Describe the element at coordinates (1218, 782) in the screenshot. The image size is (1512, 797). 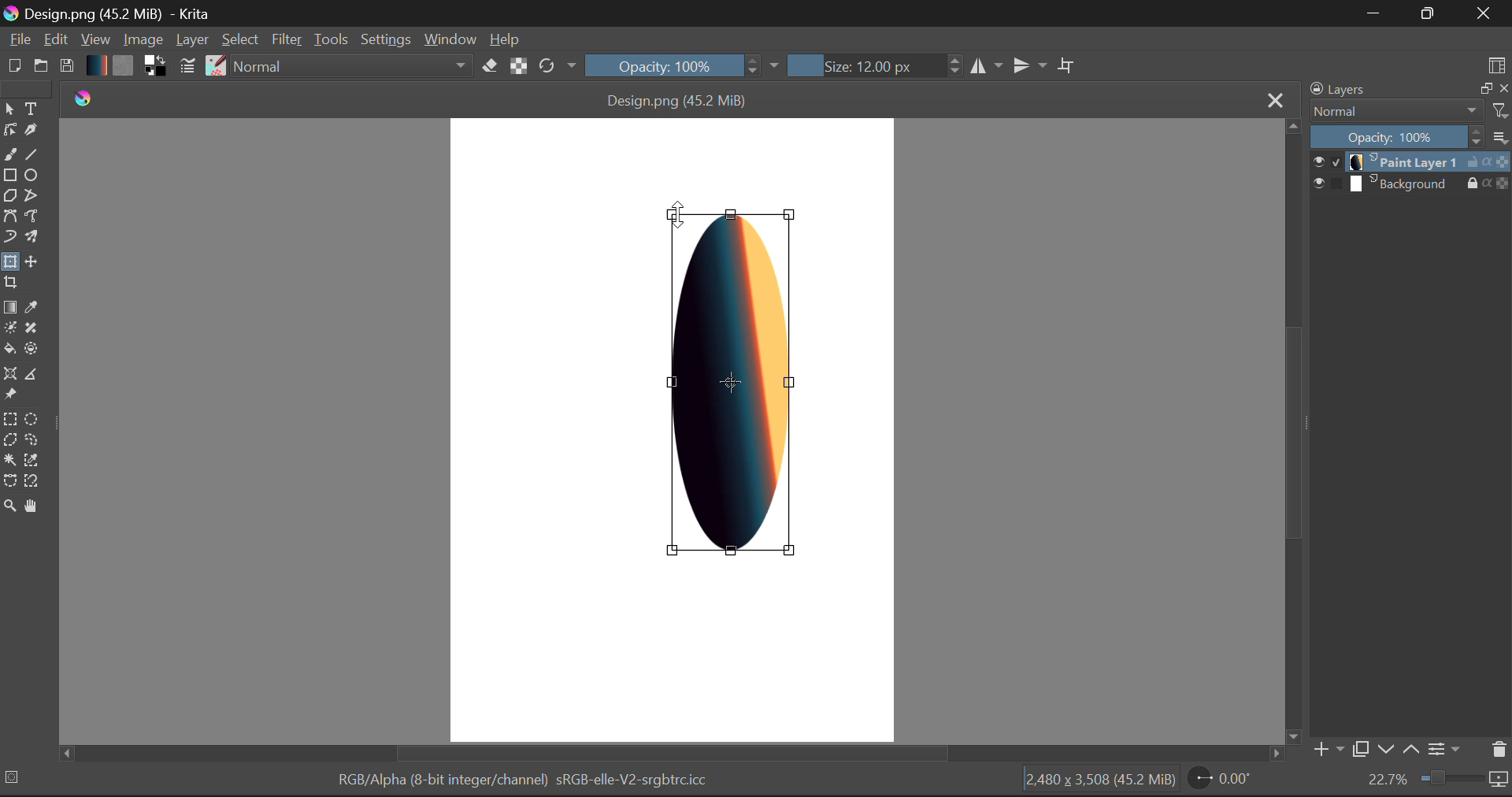
I see `Page Rotation` at that location.